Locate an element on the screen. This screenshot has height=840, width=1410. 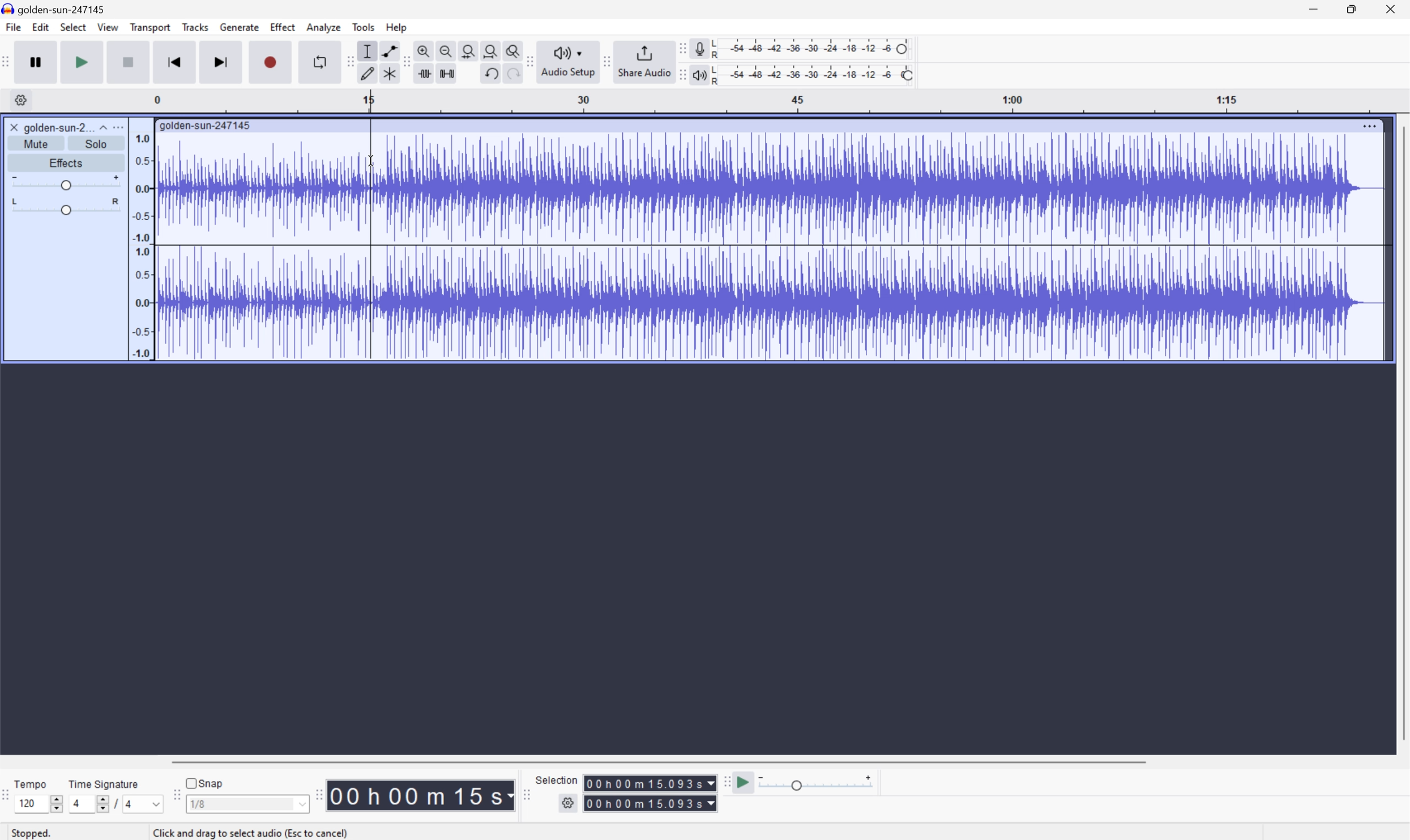
Audacity audio setup toolbar is located at coordinates (529, 61).